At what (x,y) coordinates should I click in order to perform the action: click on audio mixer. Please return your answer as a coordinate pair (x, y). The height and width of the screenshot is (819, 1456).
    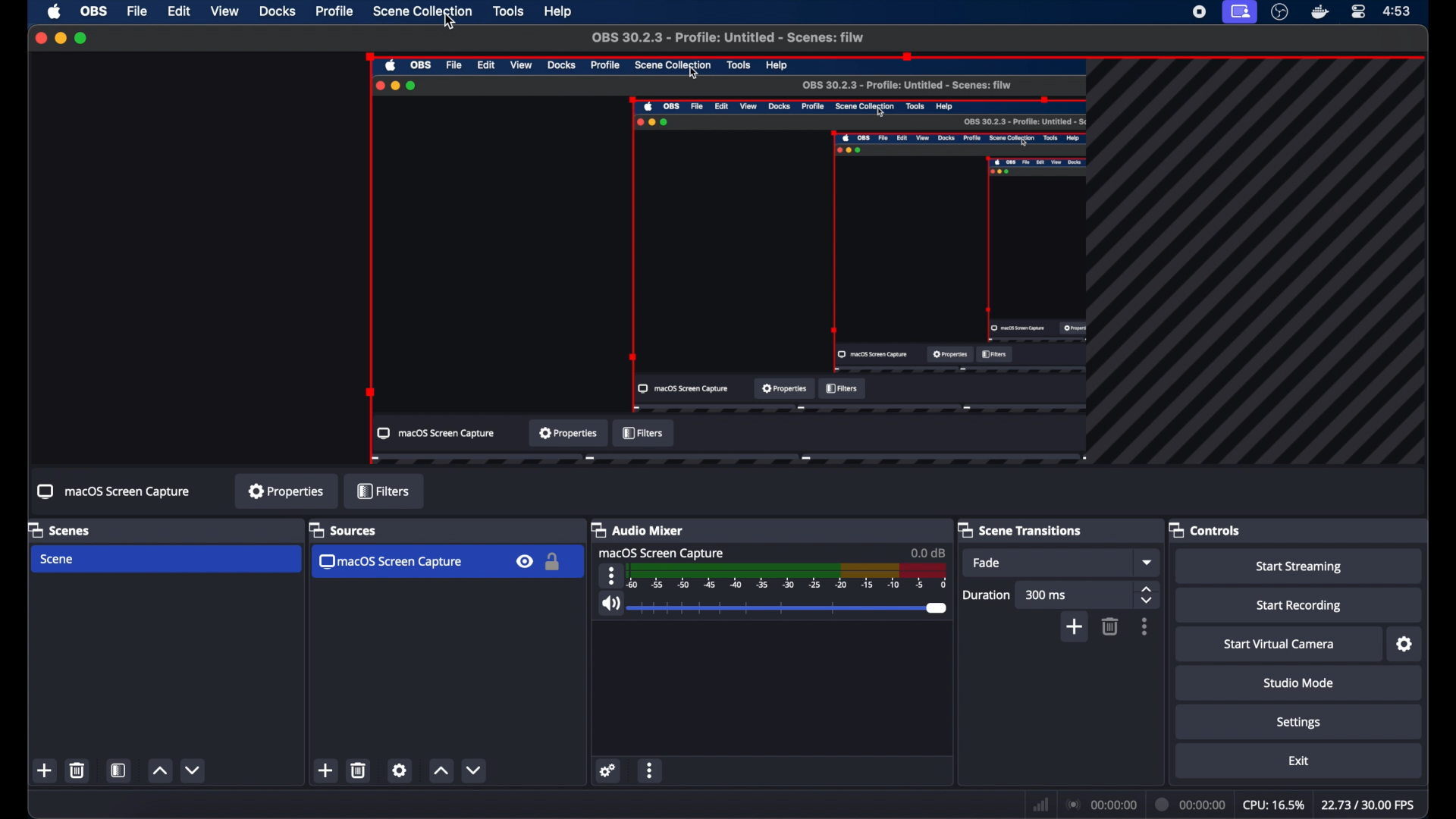
    Looking at the image, I should click on (642, 529).